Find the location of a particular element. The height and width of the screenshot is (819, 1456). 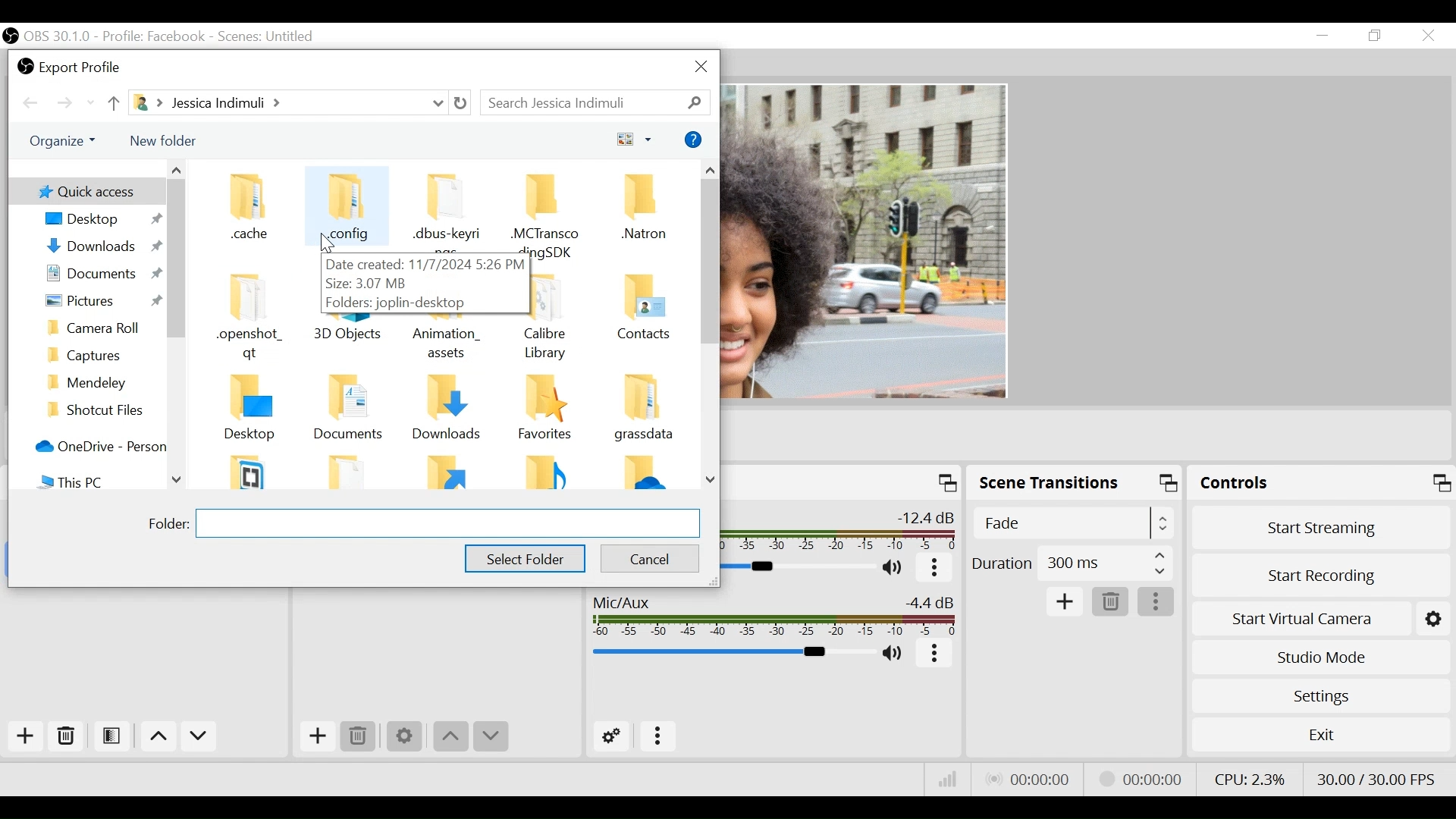

Folder is located at coordinates (102, 328).